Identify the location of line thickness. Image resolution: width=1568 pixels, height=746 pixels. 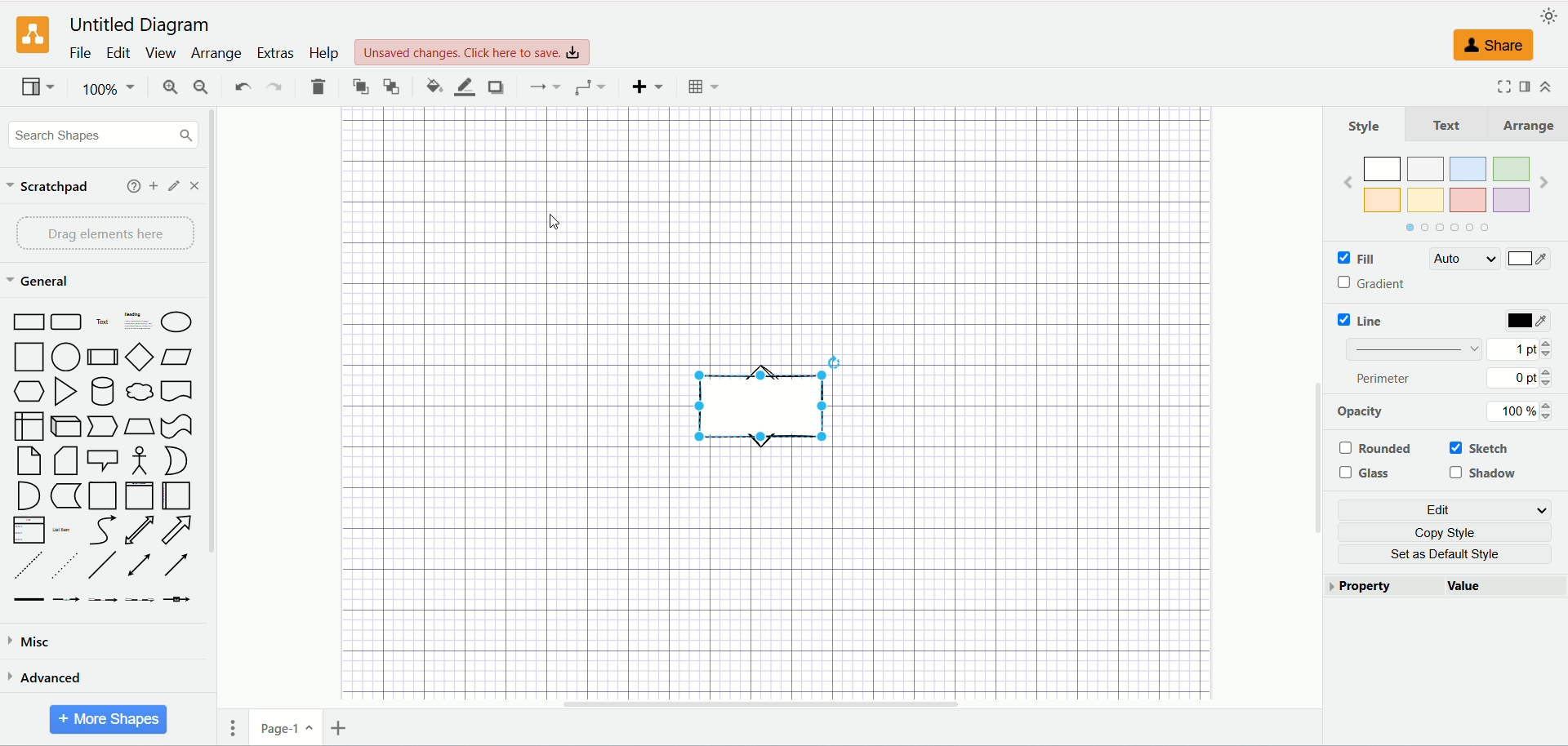
(1413, 352).